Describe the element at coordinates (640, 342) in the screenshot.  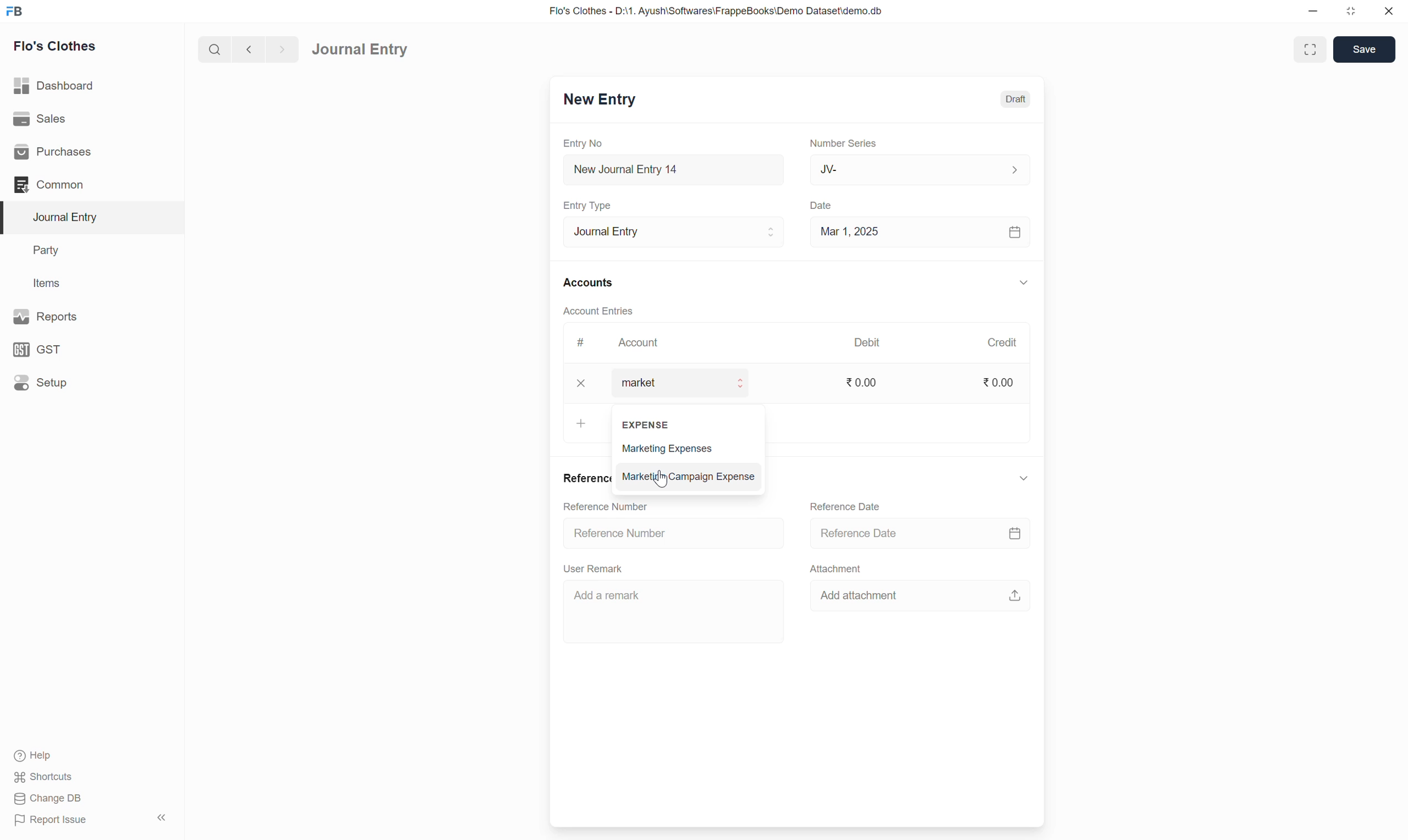
I see `Account` at that location.